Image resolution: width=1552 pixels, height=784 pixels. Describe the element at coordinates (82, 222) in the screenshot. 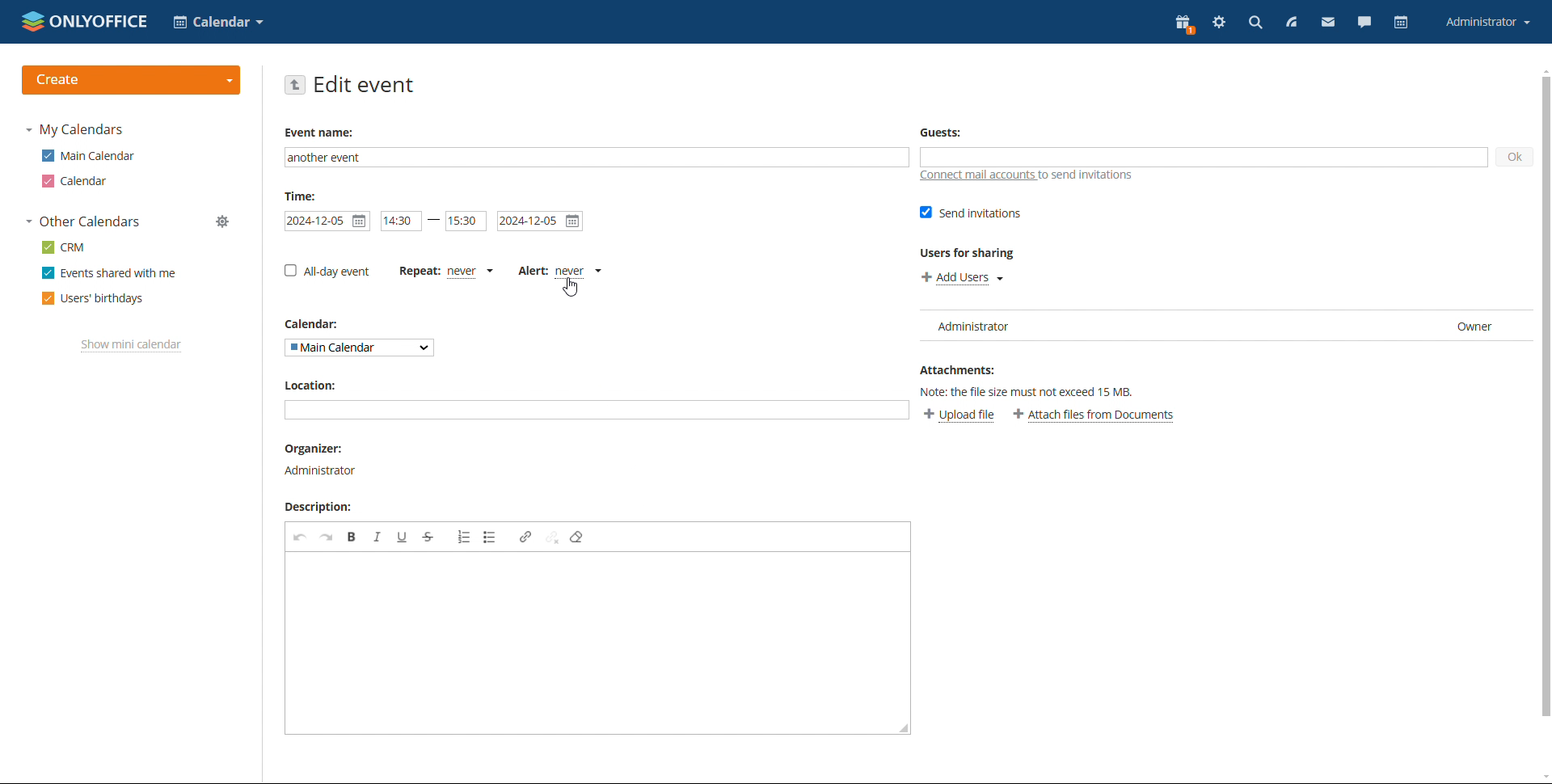

I see `other calendars` at that location.